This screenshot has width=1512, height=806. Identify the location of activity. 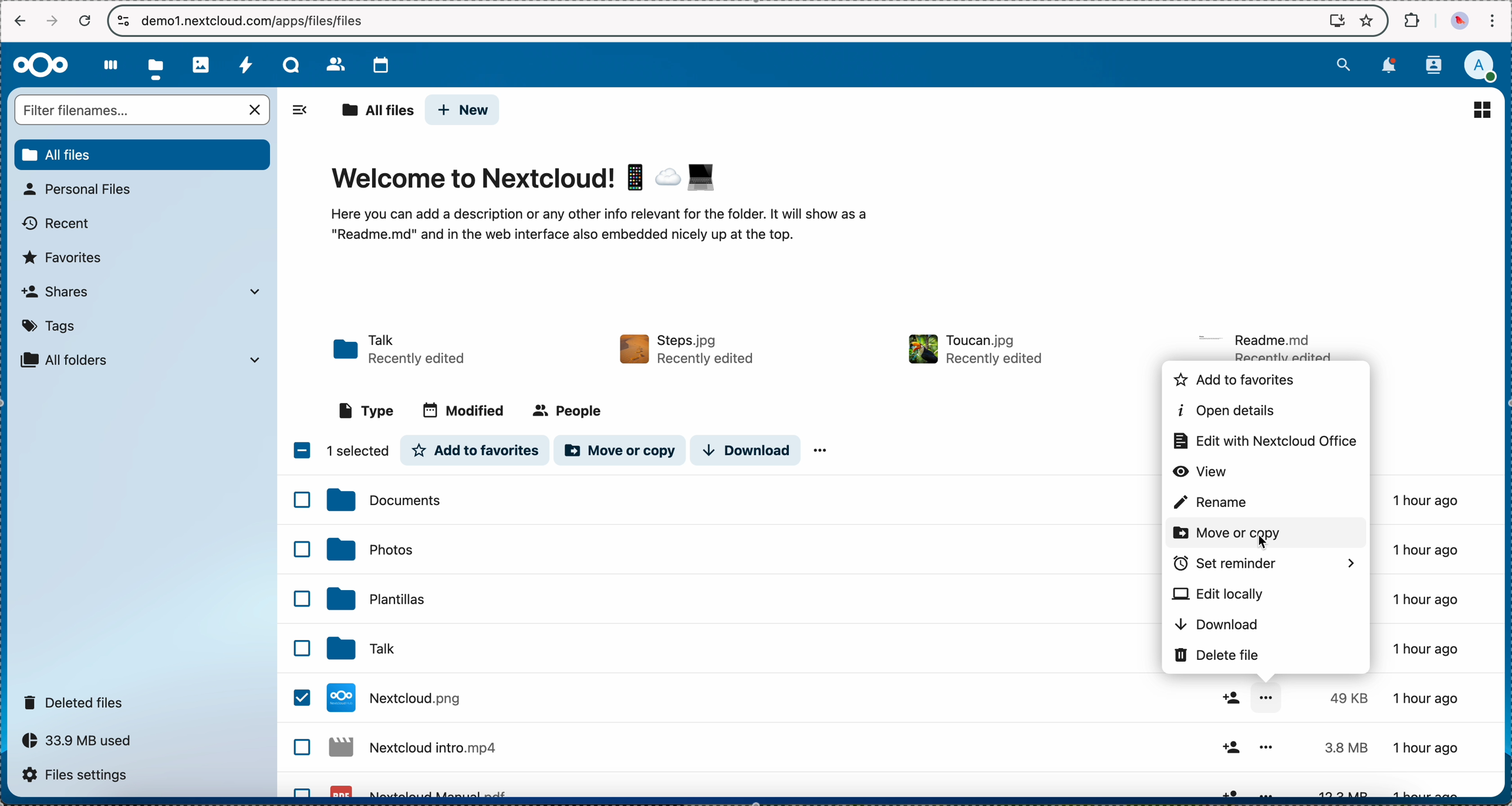
(245, 62).